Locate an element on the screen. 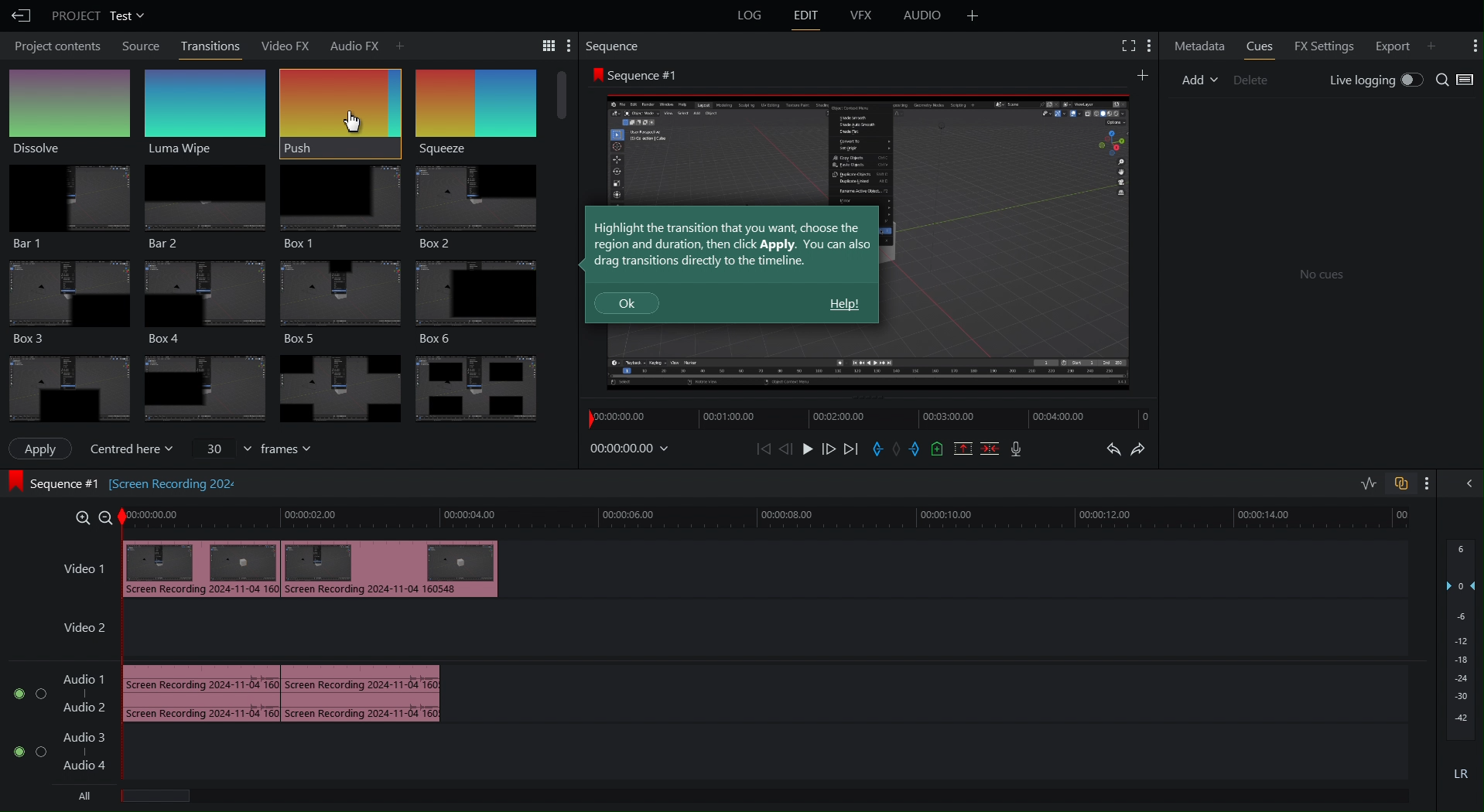  Zoom in is located at coordinates (79, 517).